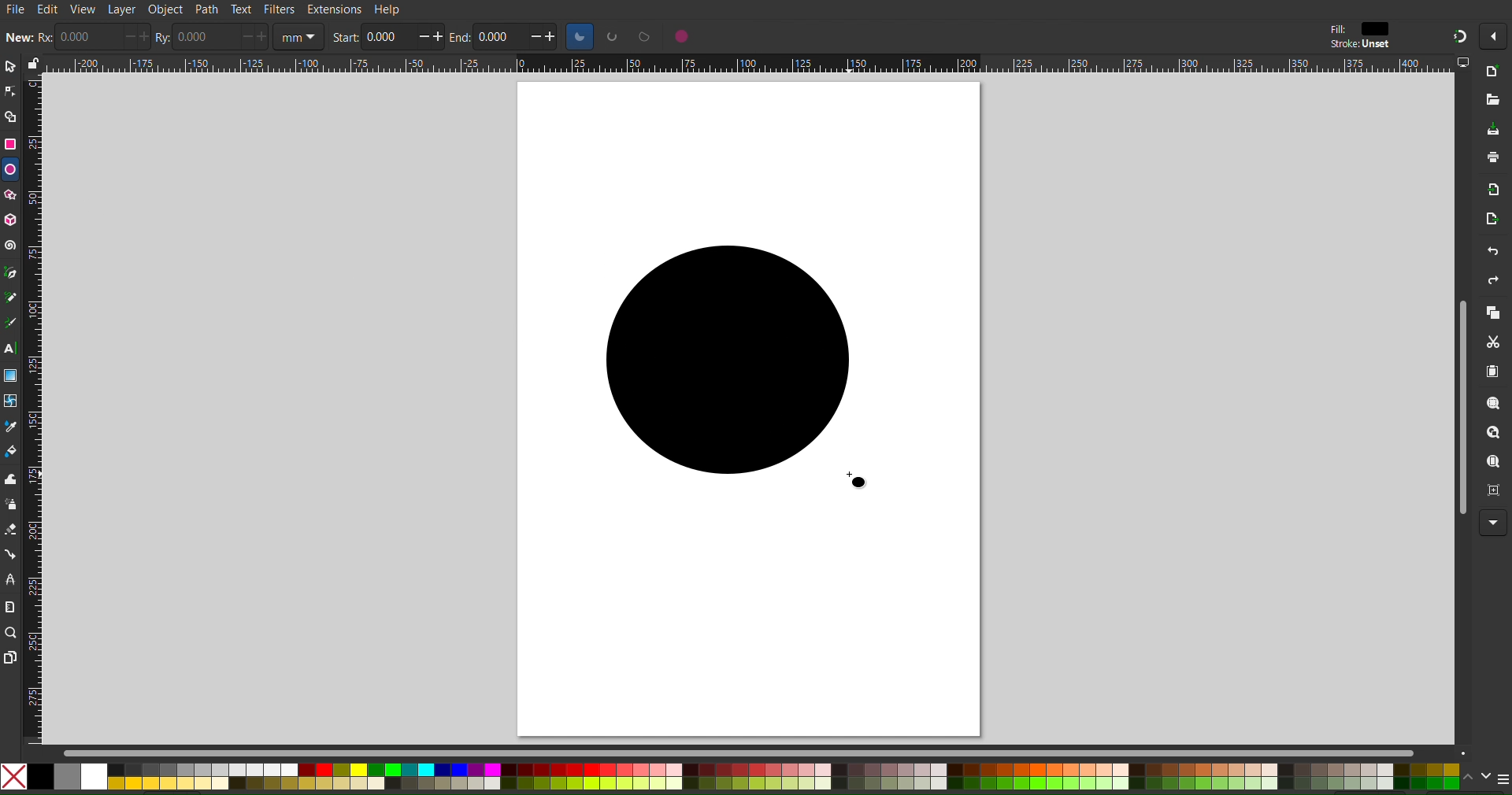 This screenshot has height=795, width=1512. Describe the element at coordinates (278, 9) in the screenshot. I see `Filters` at that location.